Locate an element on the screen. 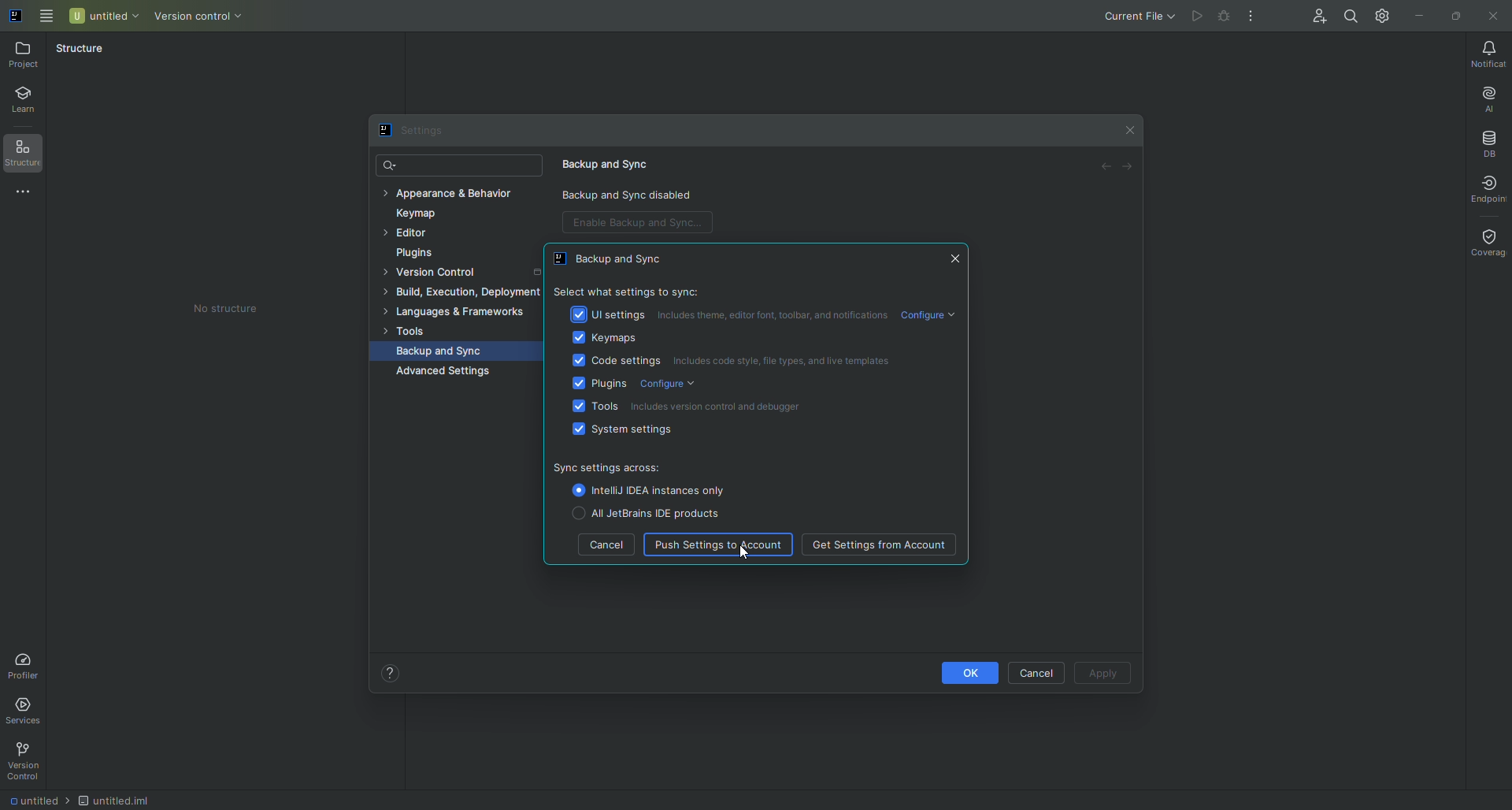  Get Settings from Account is located at coordinates (878, 544).